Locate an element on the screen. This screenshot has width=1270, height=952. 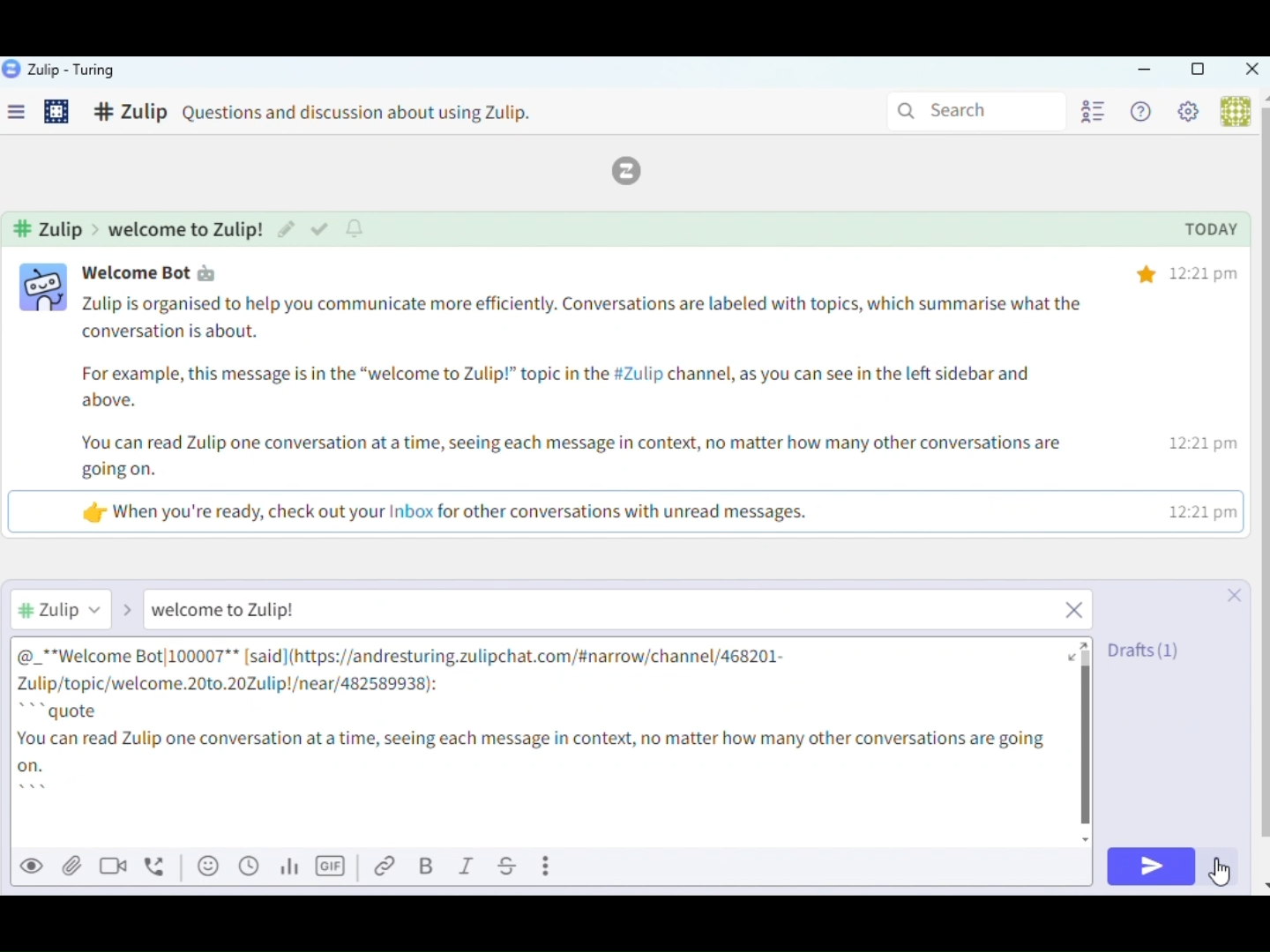
Close is located at coordinates (1251, 71).